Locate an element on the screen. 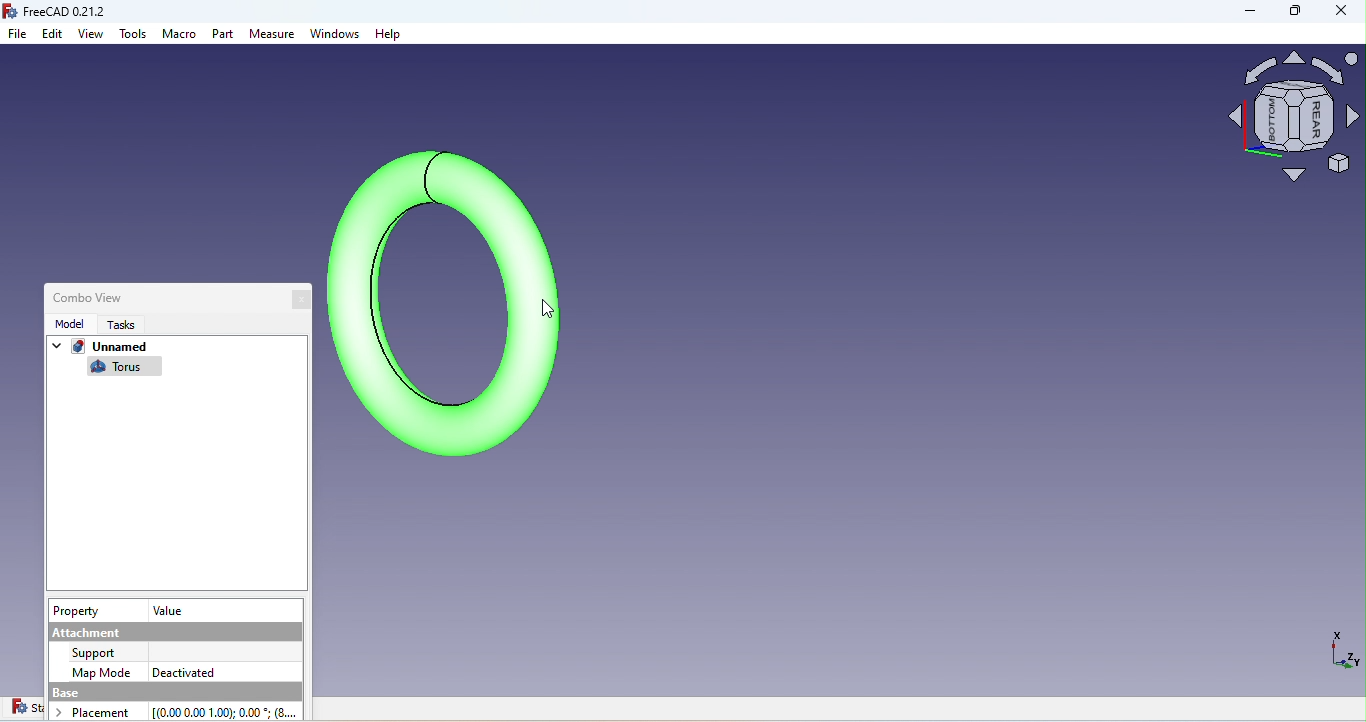 This screenshot has width=1366, height=722. Minimize is located at coordinates (1241, 14).